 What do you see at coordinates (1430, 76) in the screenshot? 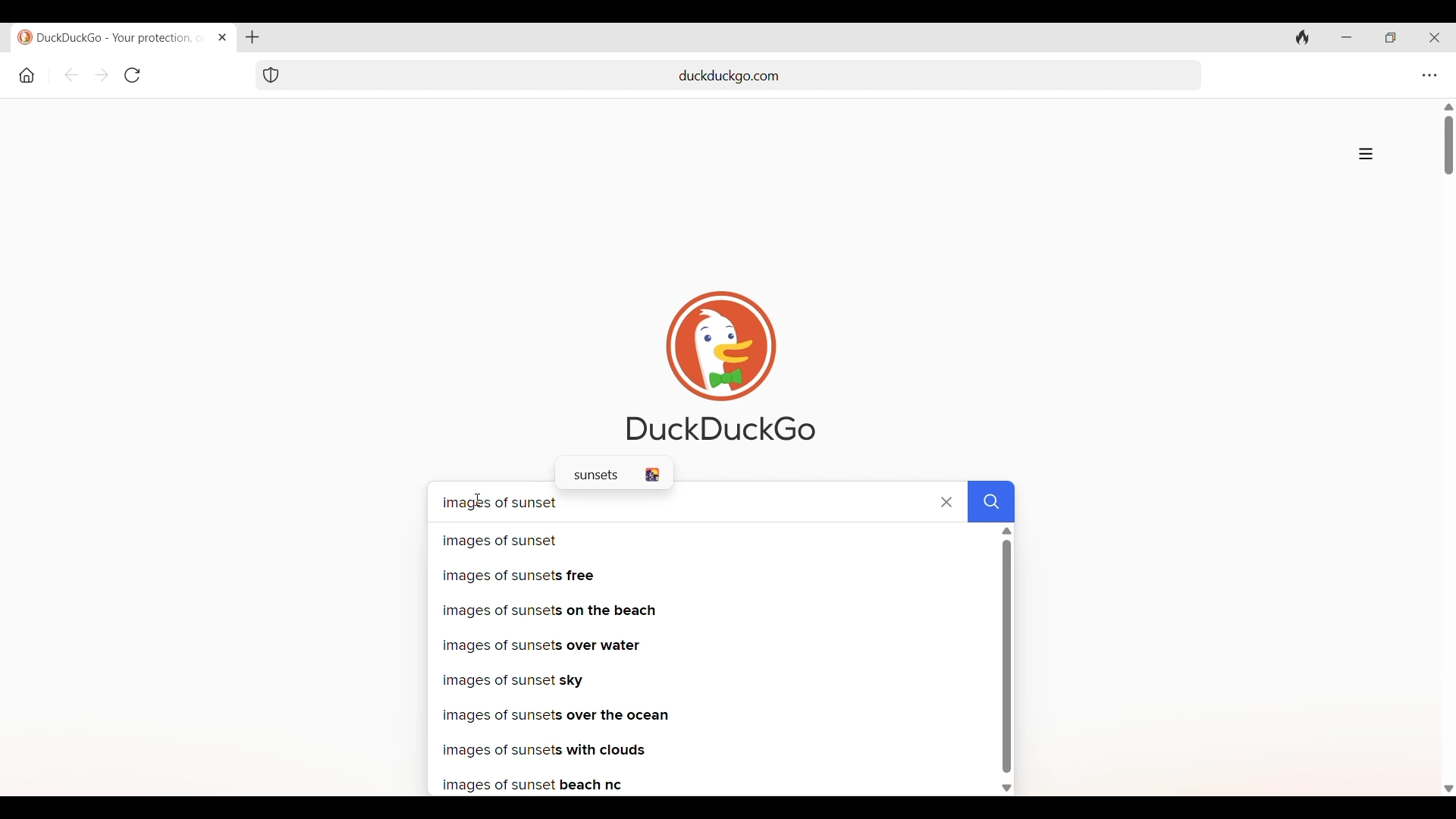
I see `More setting options` at bounding box center [1430, 76].